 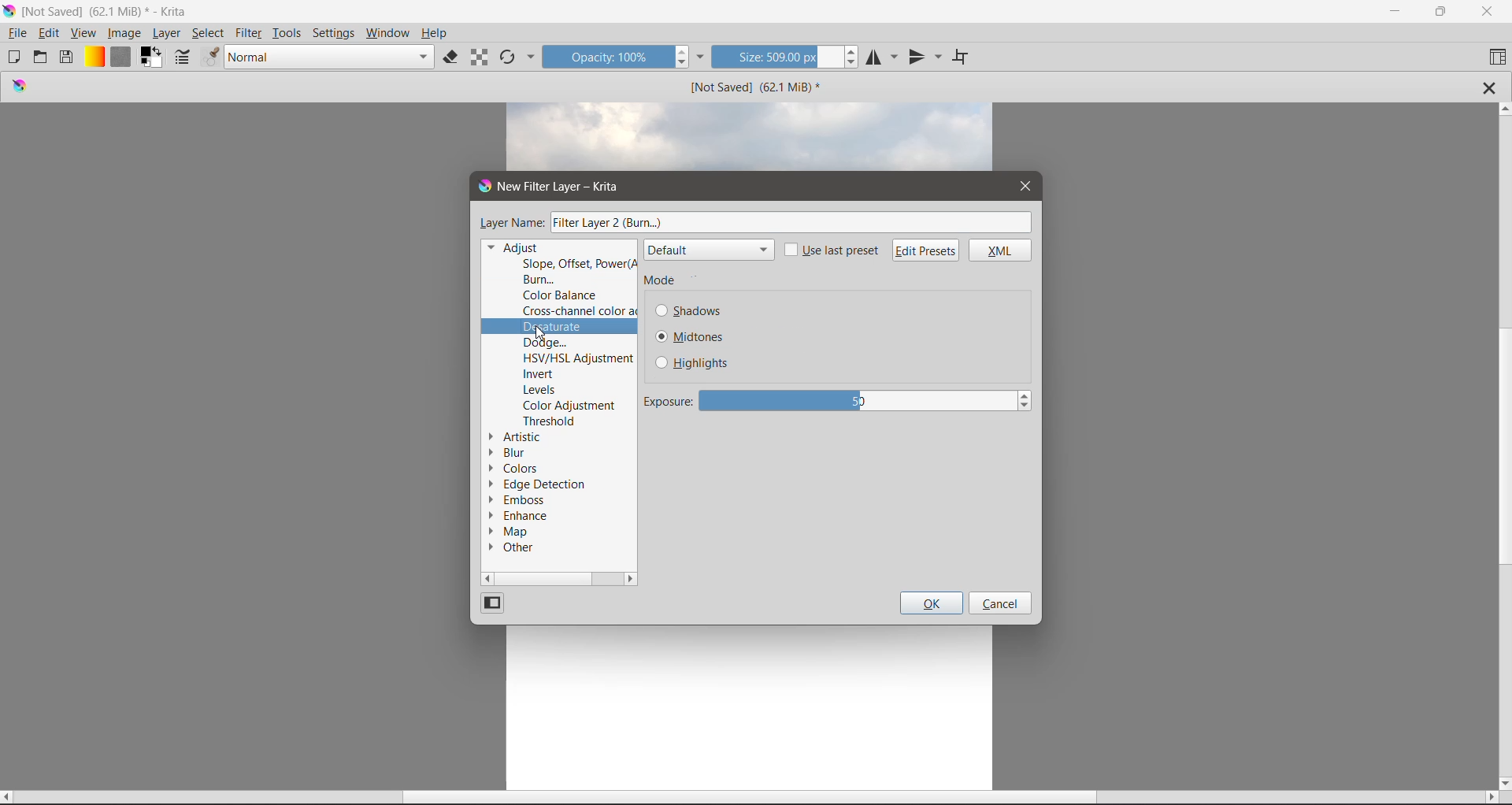 What do you see at coordinates (250, 33) in the screenshot?
I see `Filter` at bounding box center [250, 33].